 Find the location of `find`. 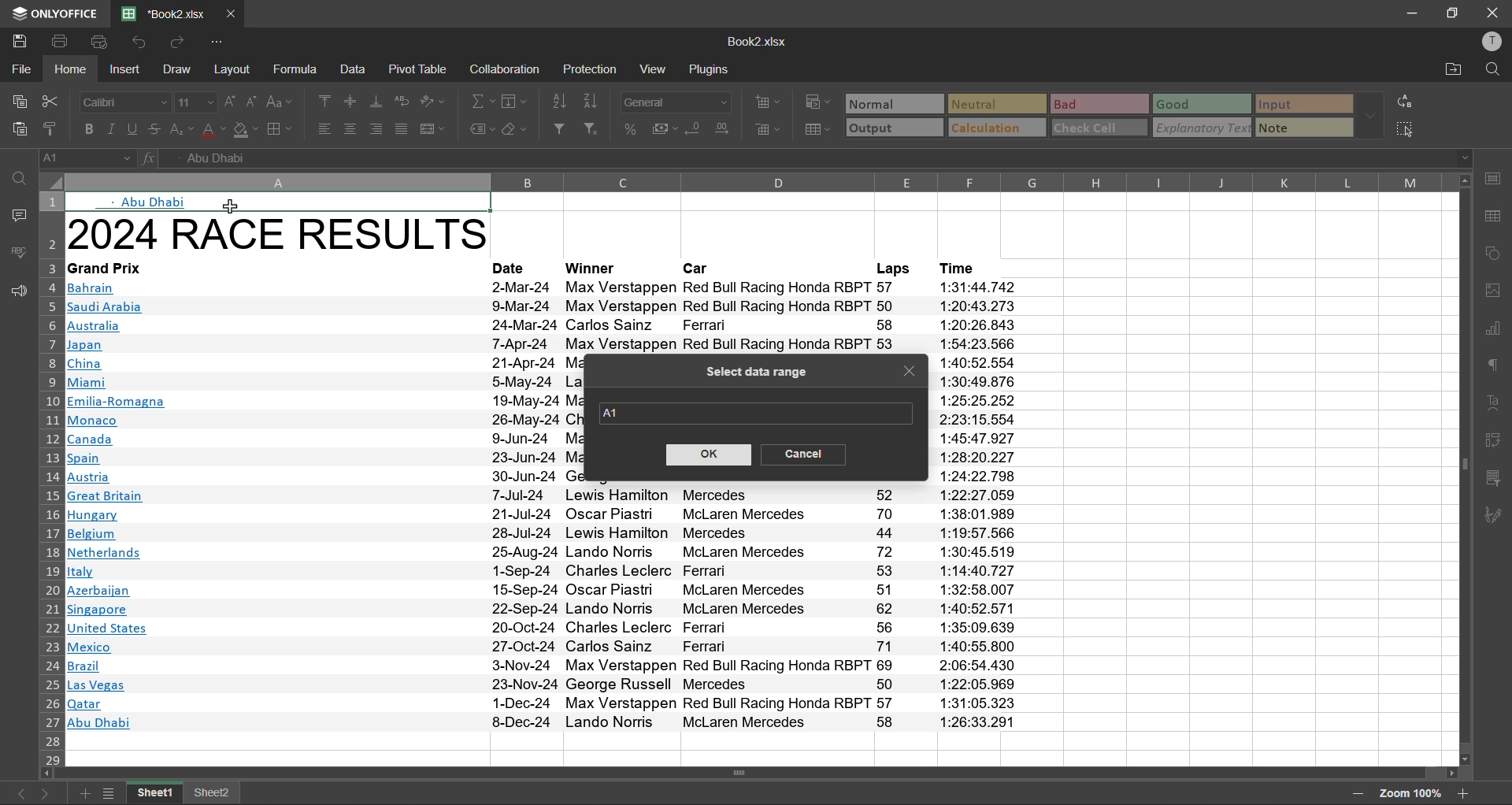

find is located at coordinates (24, 182).